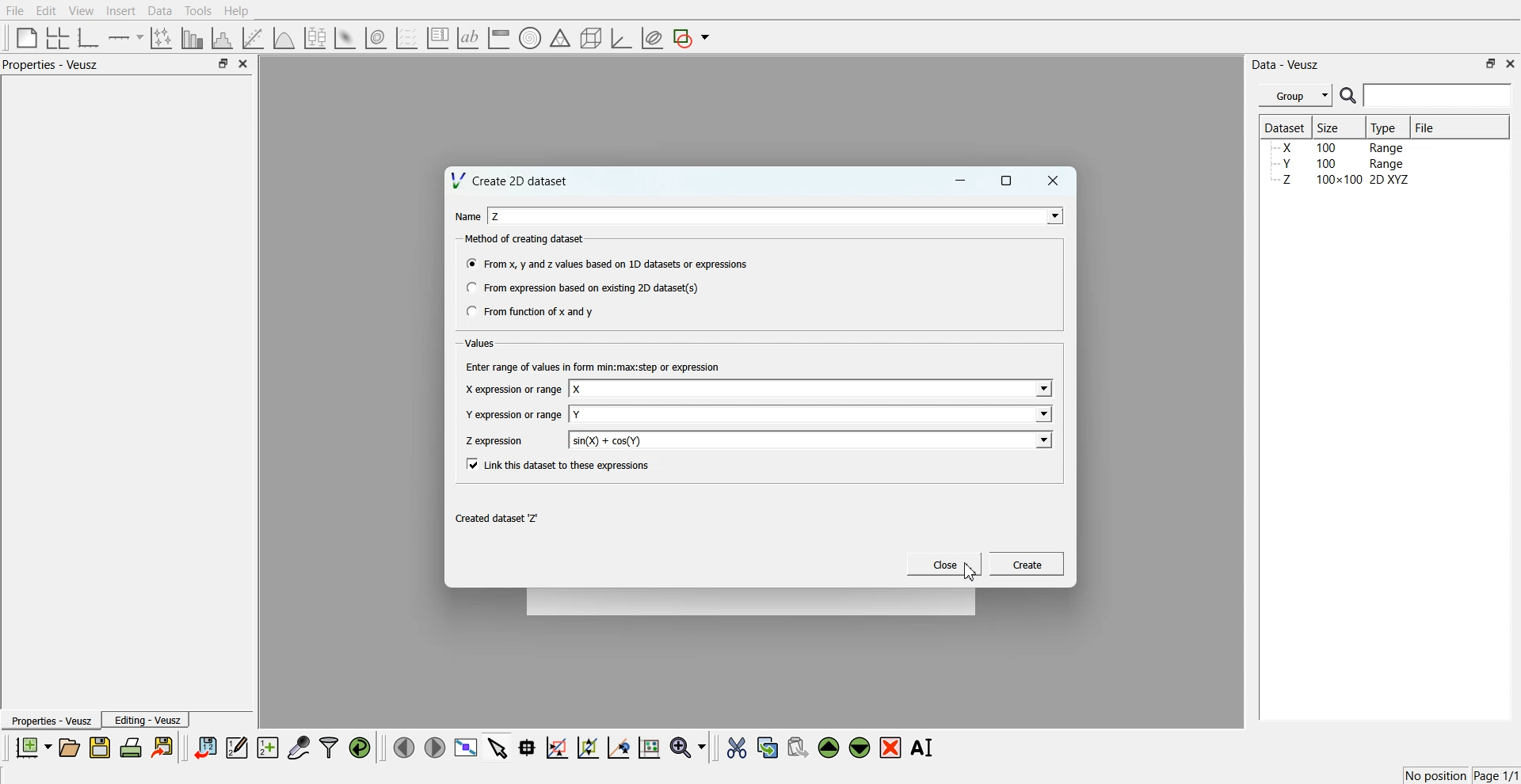 This screenshot has width=1521, height=784. Describe the element at coordinates (924, 748) in the screenshot. I see `Rename the selected widget` at that location.